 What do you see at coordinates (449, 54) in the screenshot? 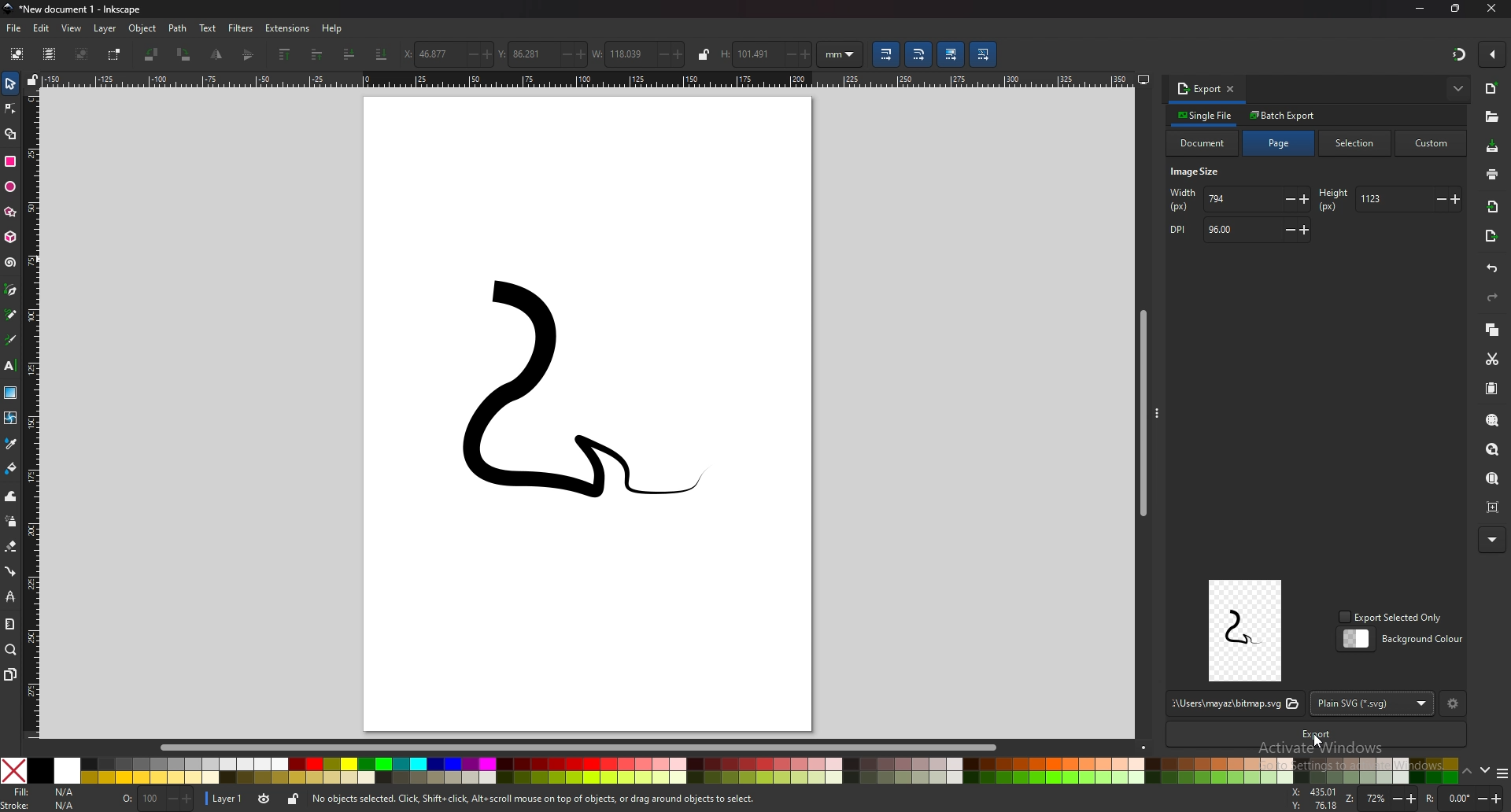
I see `x coordinates` at bounding box center [449, 54].